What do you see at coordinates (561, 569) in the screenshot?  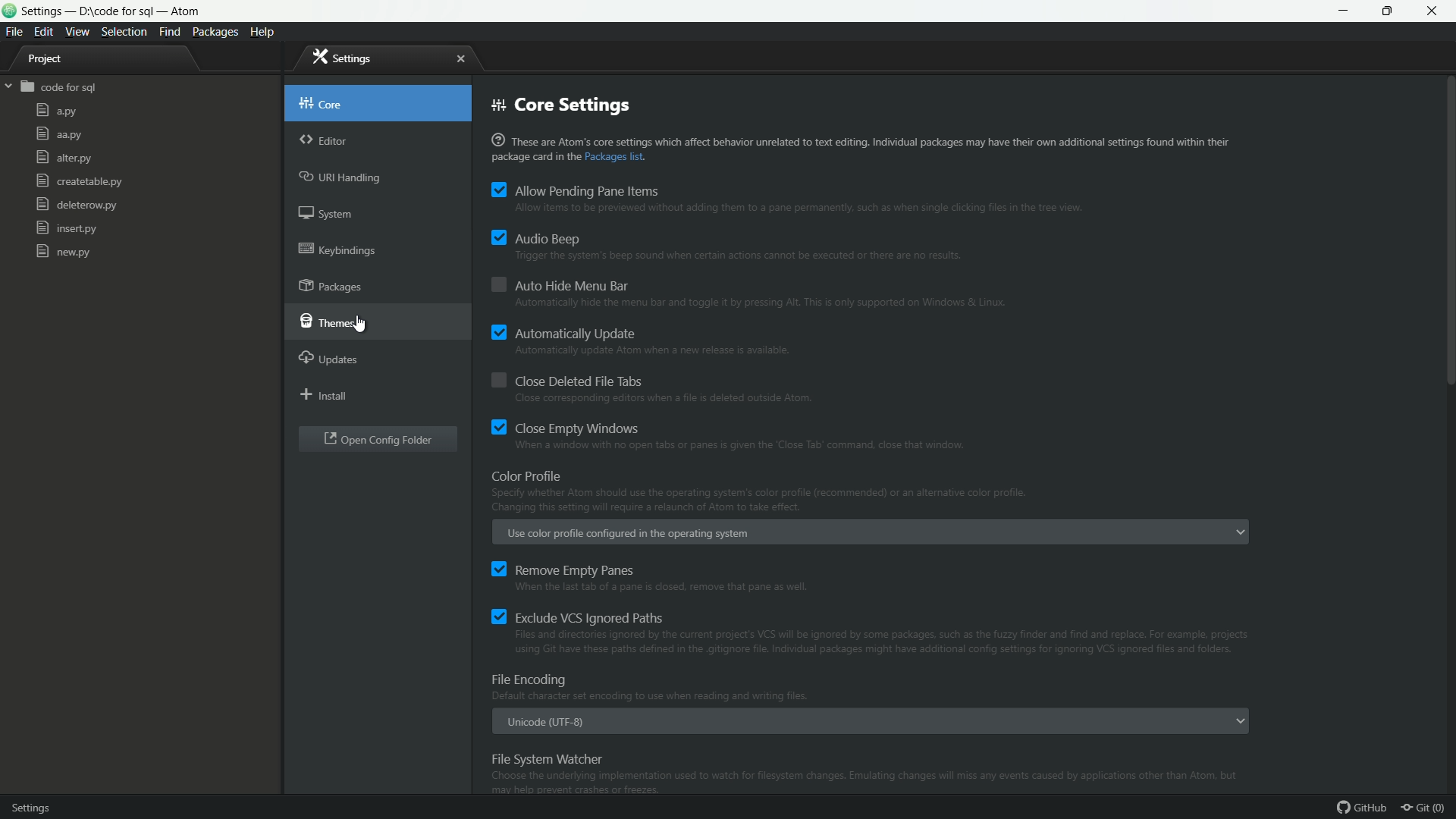 I see `remove empty panes` at bounding box center [561, 569].